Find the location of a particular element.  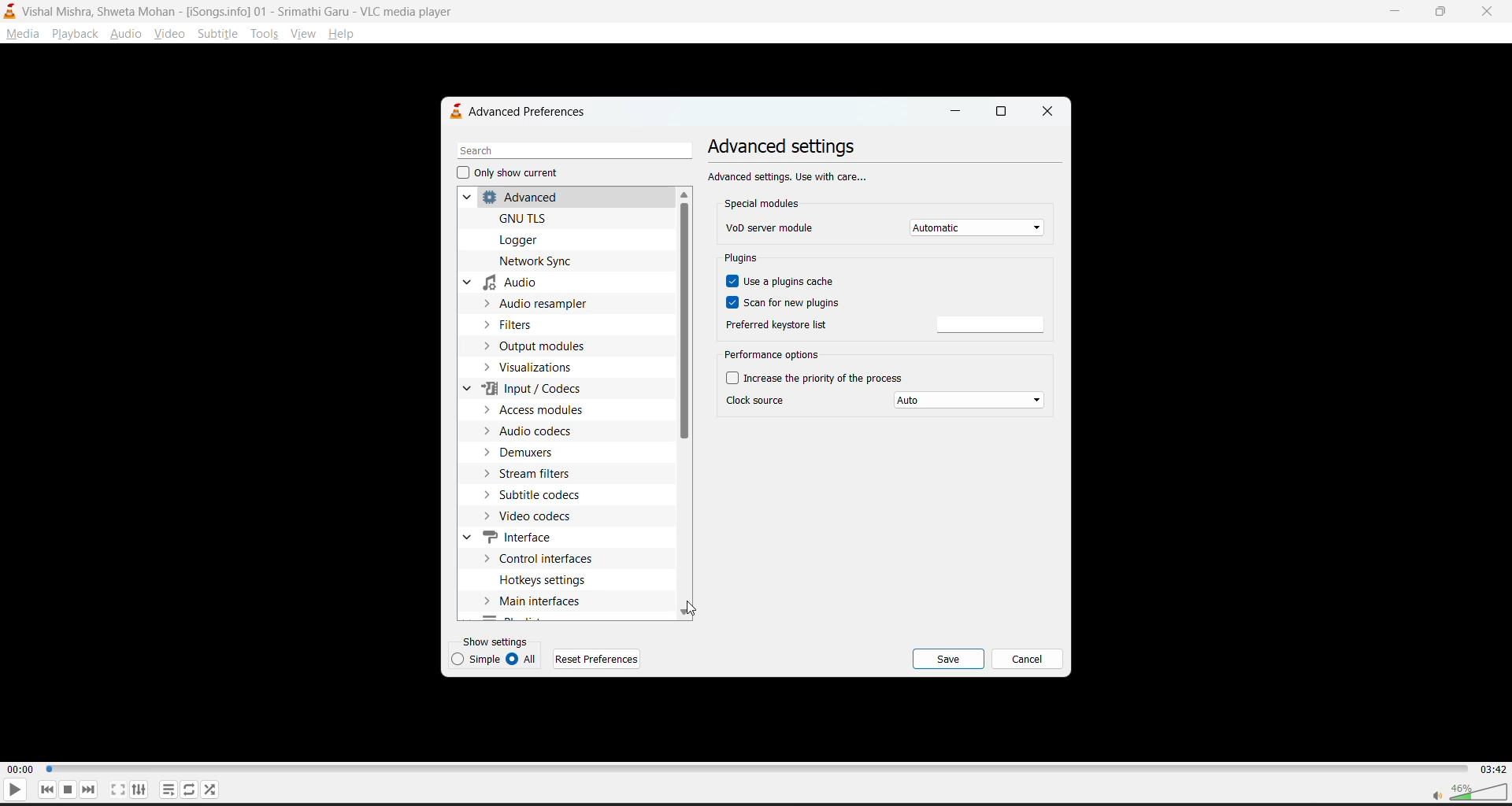

audio codecs is located at coordinates (536, 431).